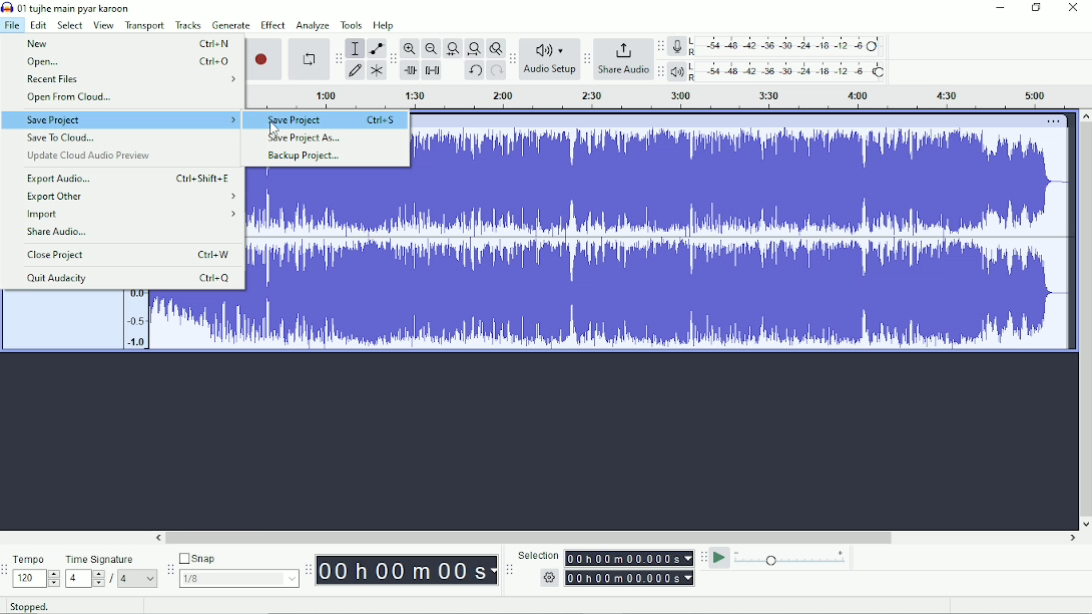 This screenshot has height=614, width=1092. I want to click on Audacity audio setup toolbar, so click(512, 58).